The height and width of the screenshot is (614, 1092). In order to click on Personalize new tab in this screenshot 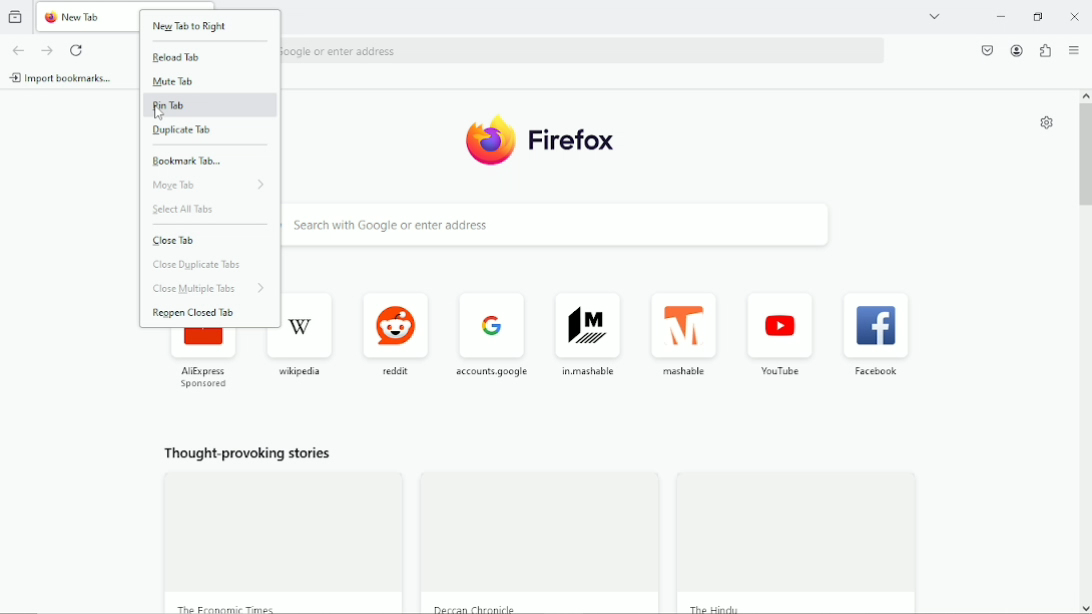, I will do `click(1045, 122)`.